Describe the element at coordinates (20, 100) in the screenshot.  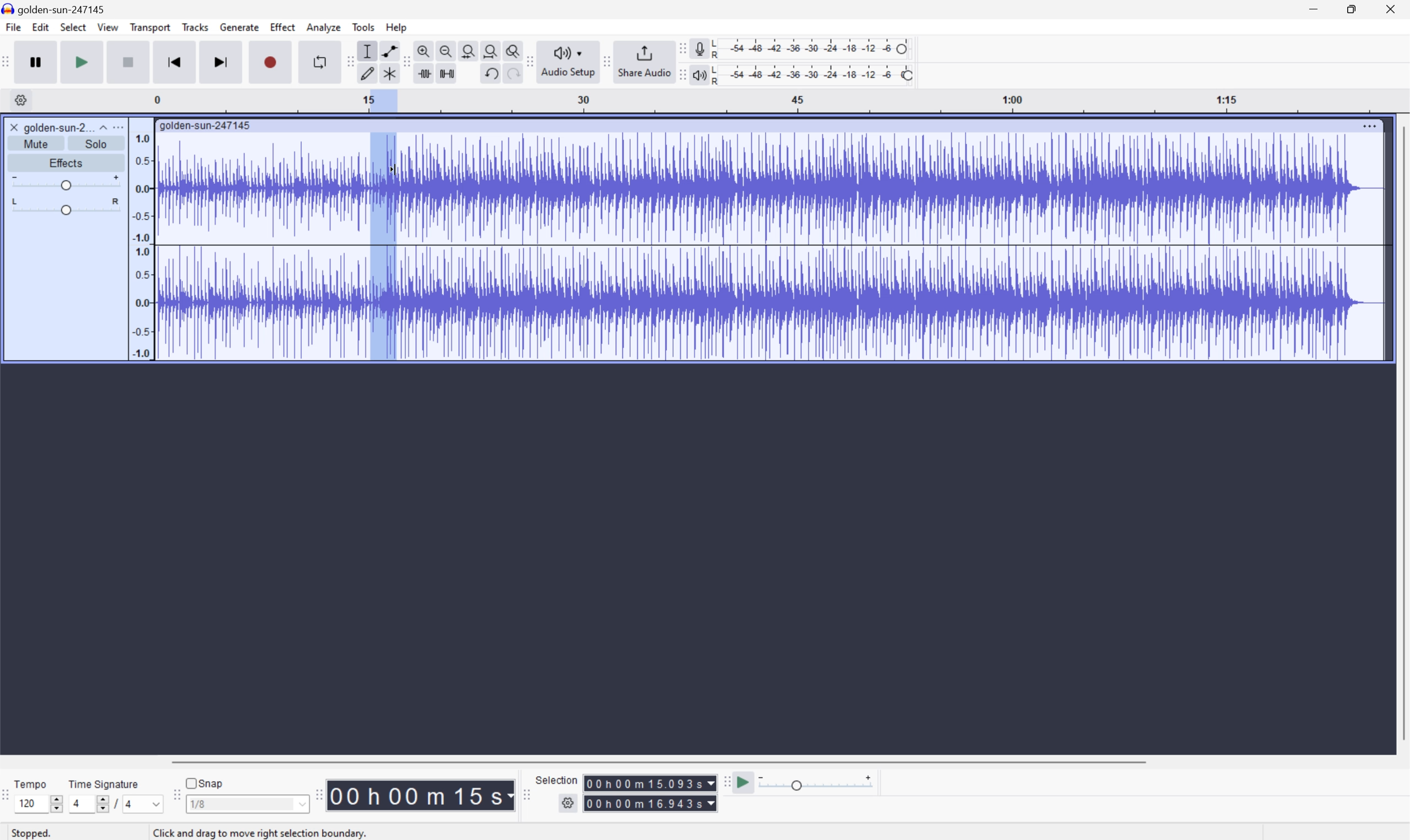
I see `settings` at that location.